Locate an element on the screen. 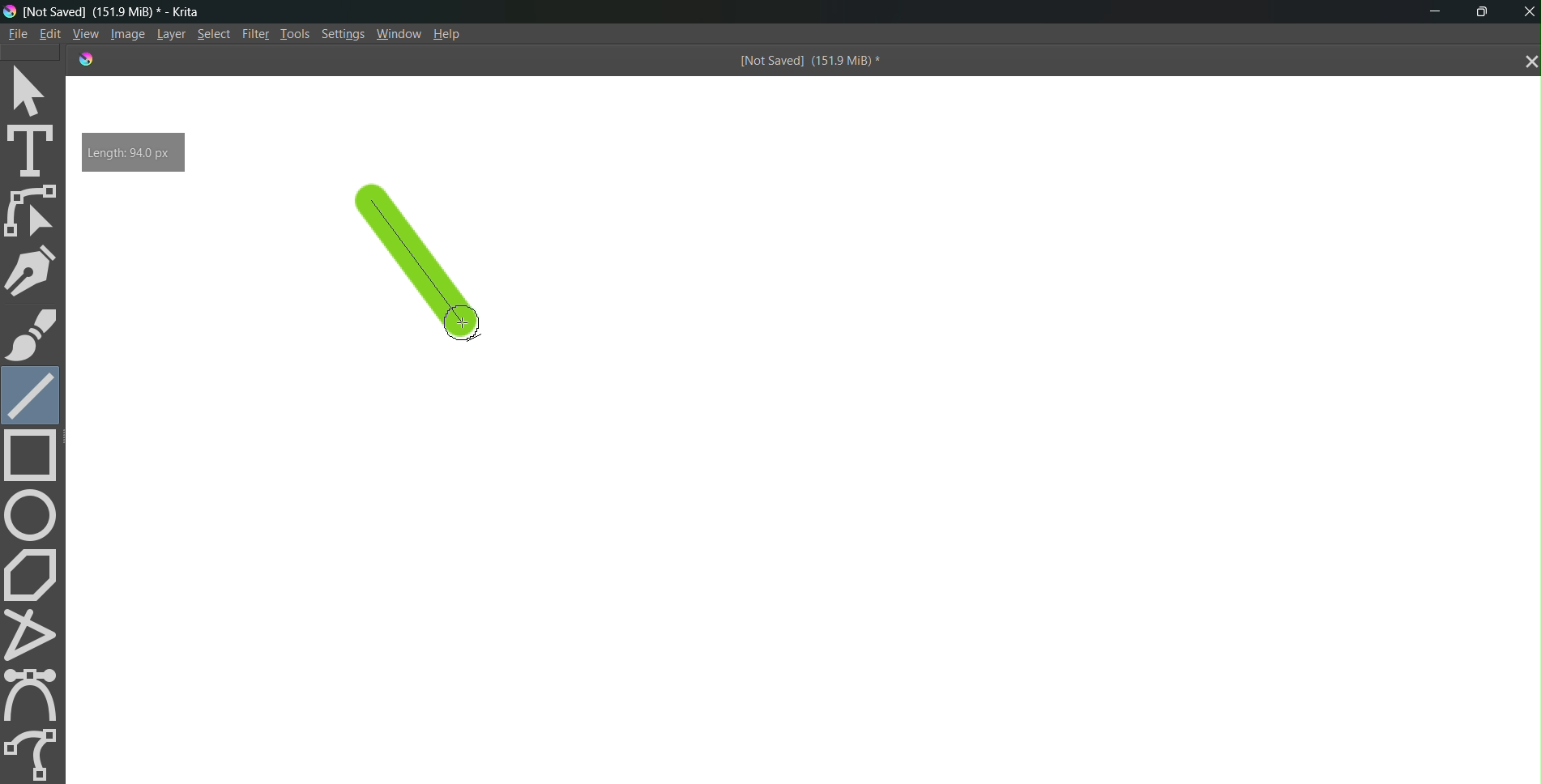 This screenshot has width=1541, height=784. curve tool is located at coordinates (36, 694).